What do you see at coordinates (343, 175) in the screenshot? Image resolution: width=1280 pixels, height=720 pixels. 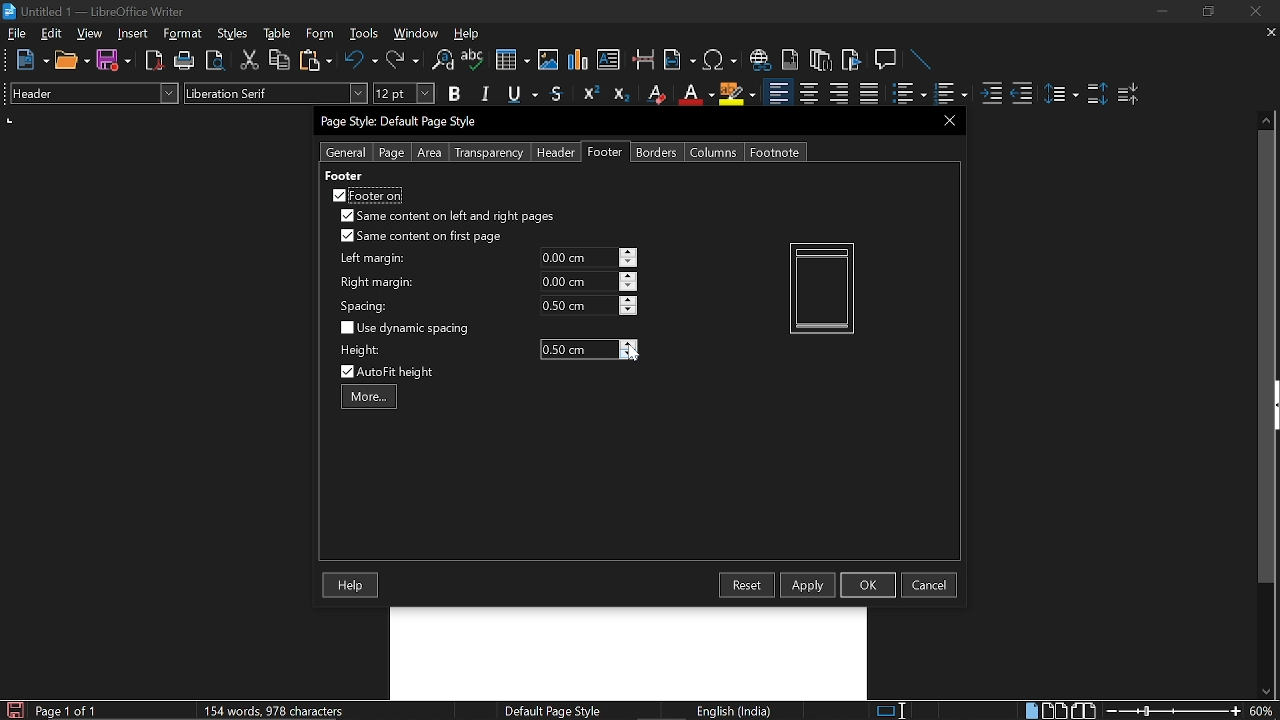 I see `footer` at bounding box center [343, 175].